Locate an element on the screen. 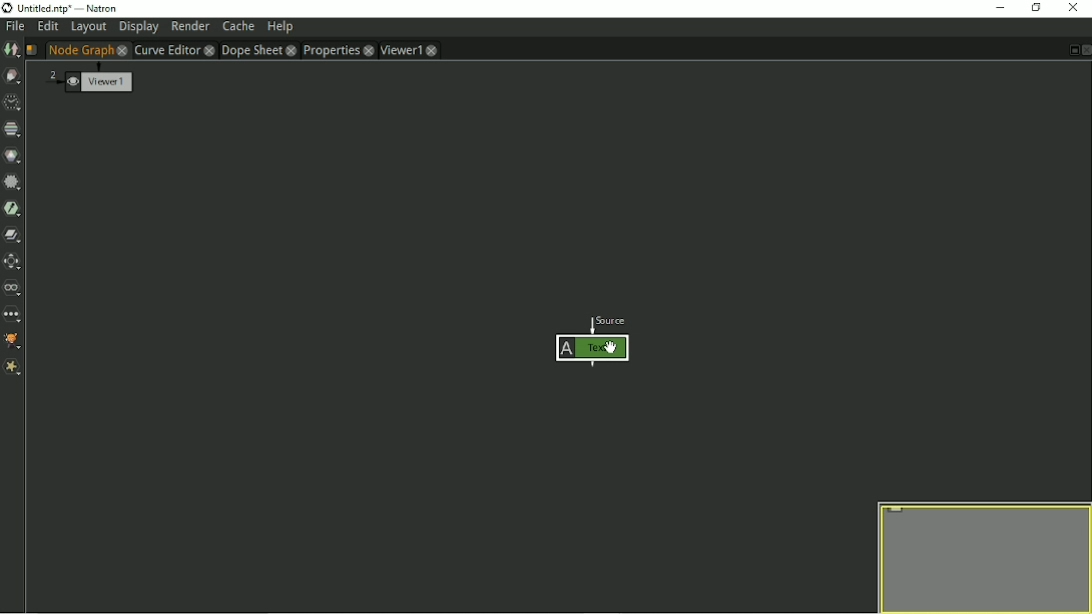  Keyer is located at coordinates (13, 209).